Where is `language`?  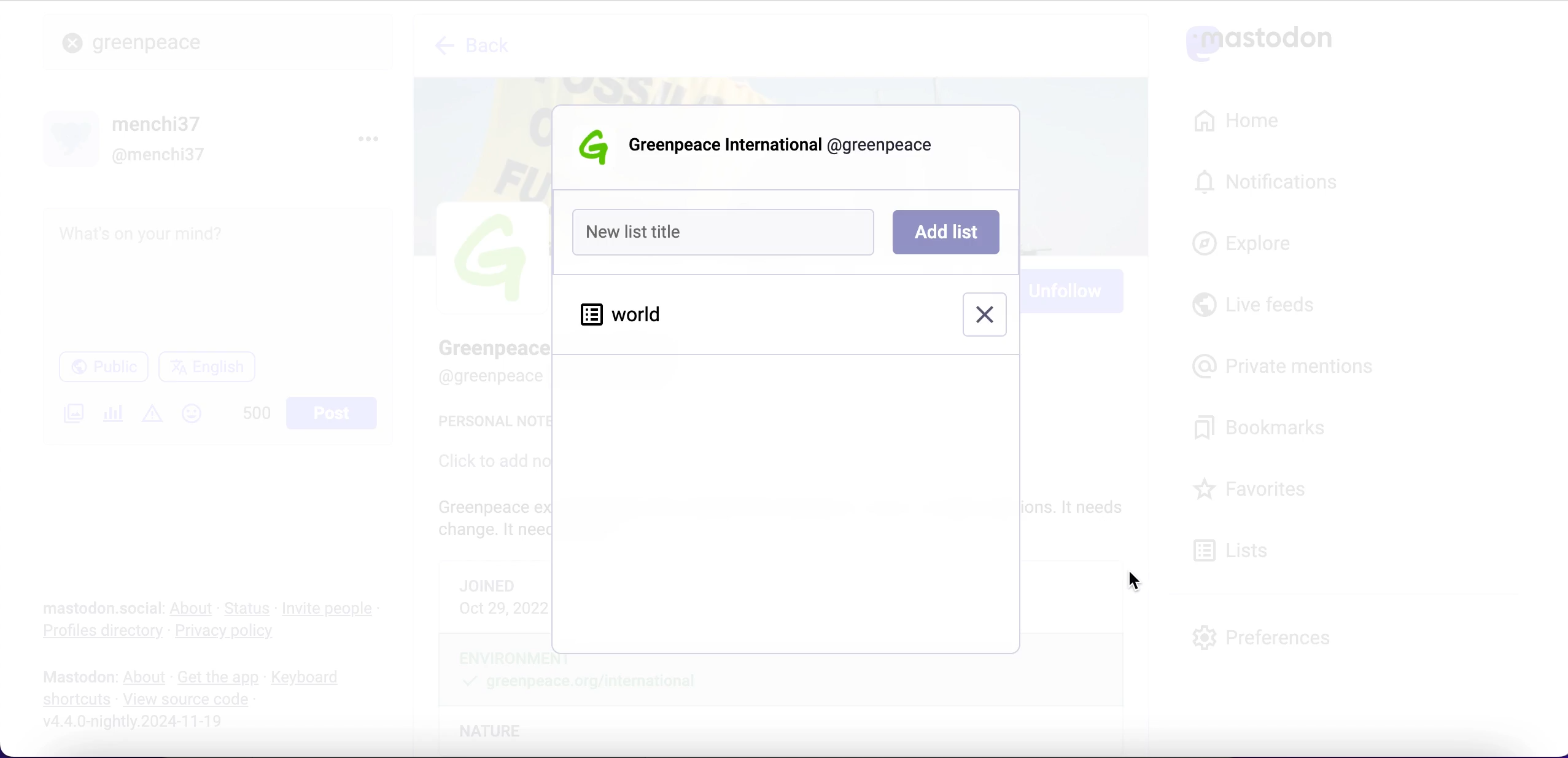
language is located at coordinates (212, 372).